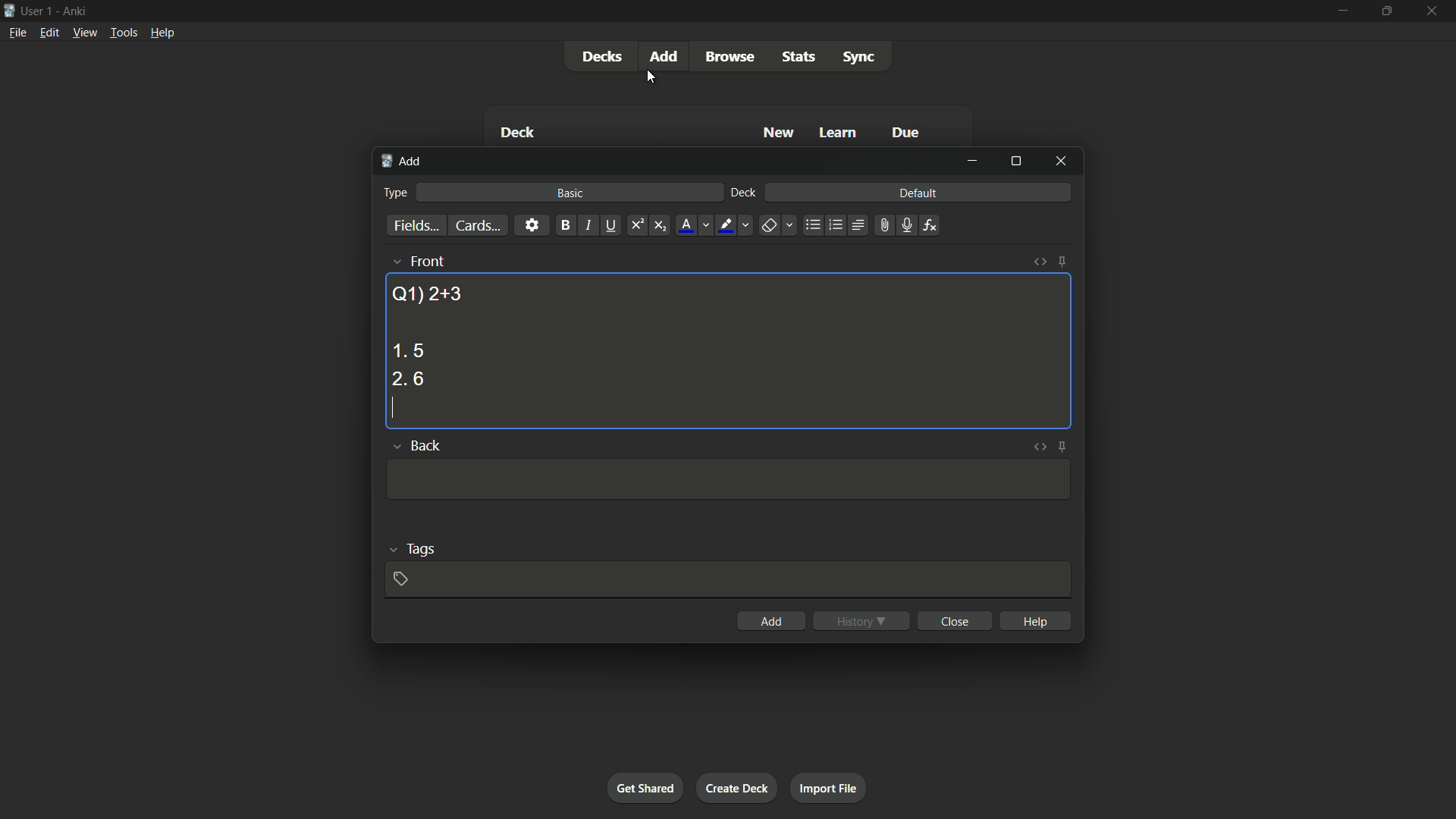  What do you see at coordinates (1433, 11) in the screenshot?
I see `close app` at bounding box center [1433, 11].